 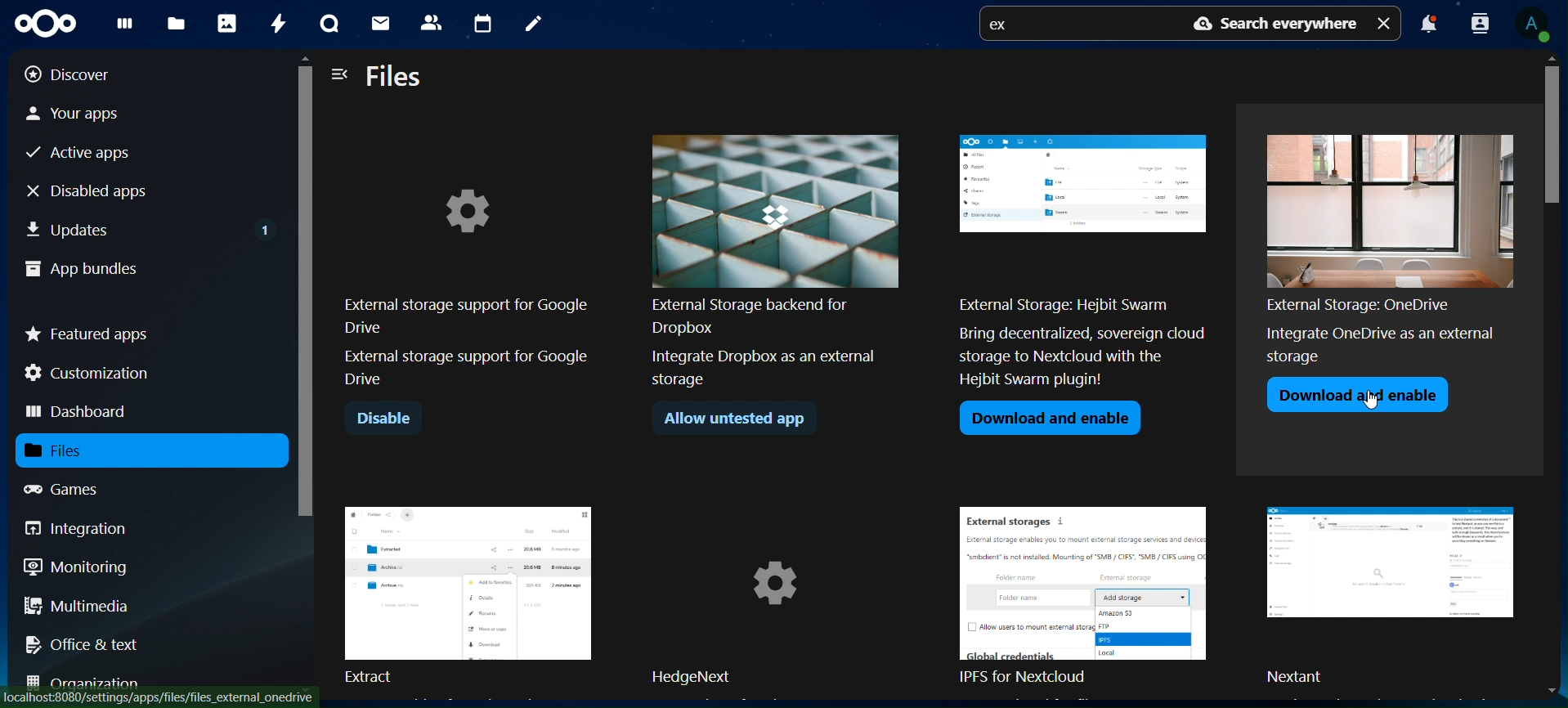 I want to click on activity, so click(x=276, y=24).